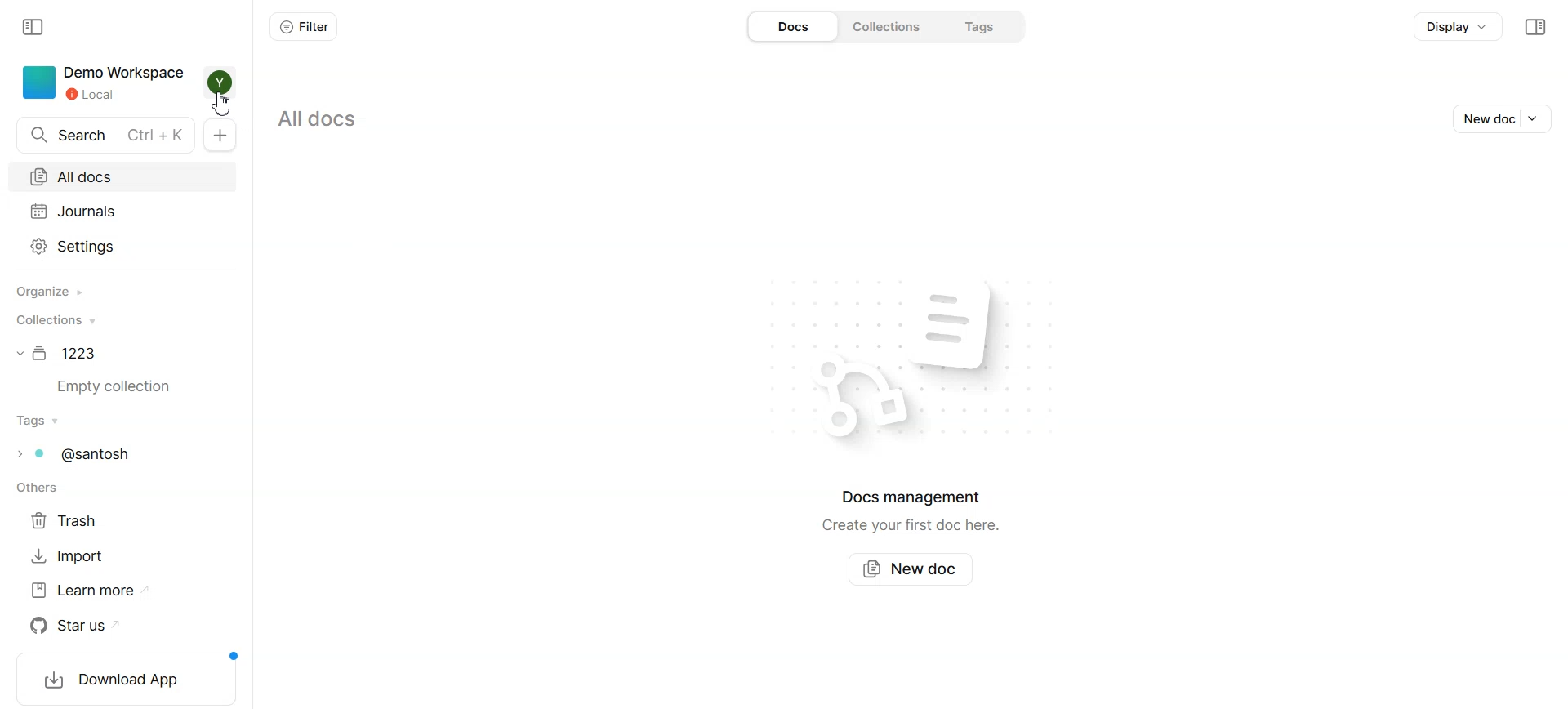 The height and width of the screenshot is (709, 1568). What do you see at coordinates (1484, 118) in the screenshot?
I see `New doc` at bounding box center [1484, 118].